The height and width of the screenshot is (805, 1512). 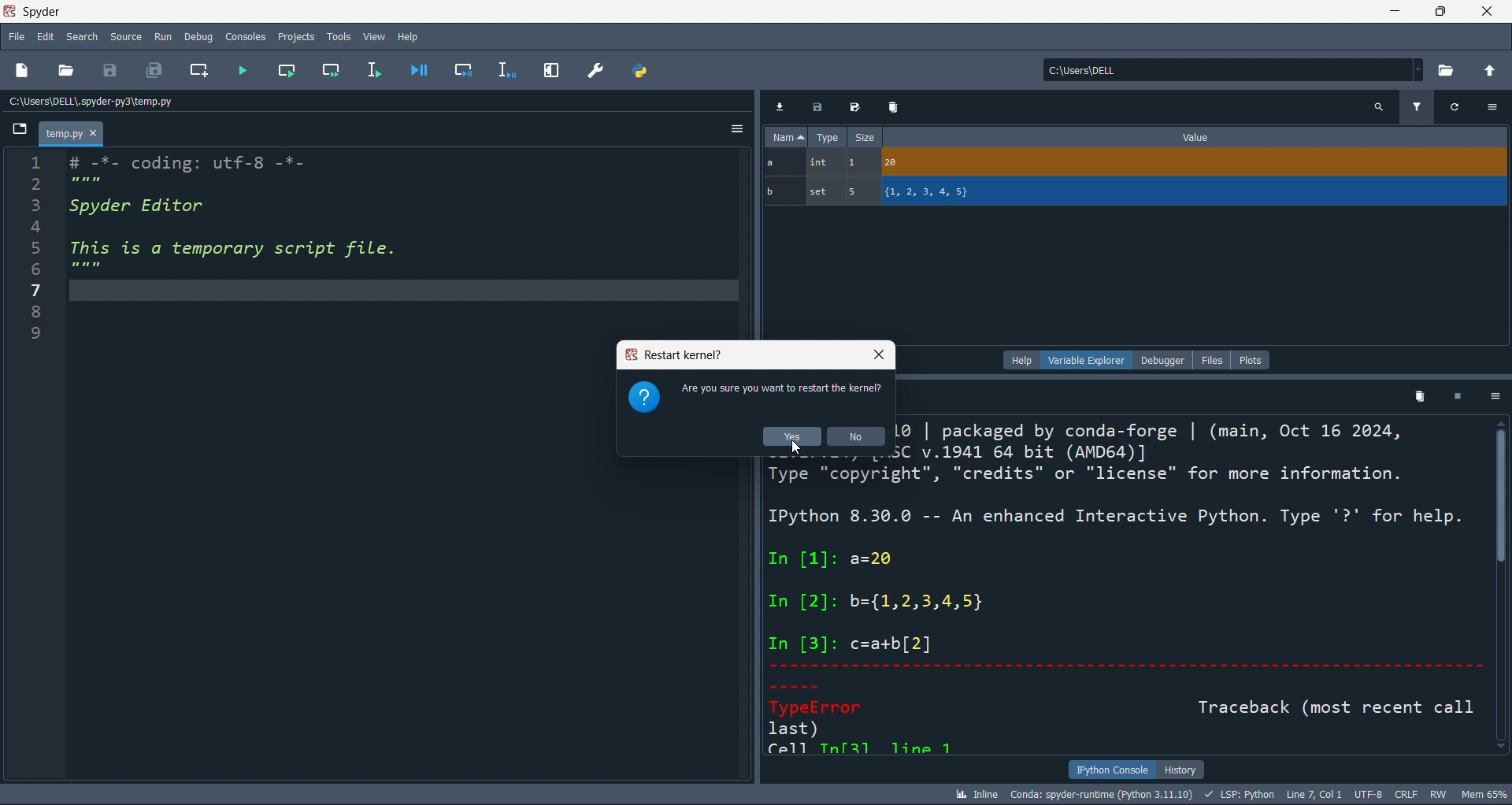 I want to click on temp.py, so click(x=71, y=132).